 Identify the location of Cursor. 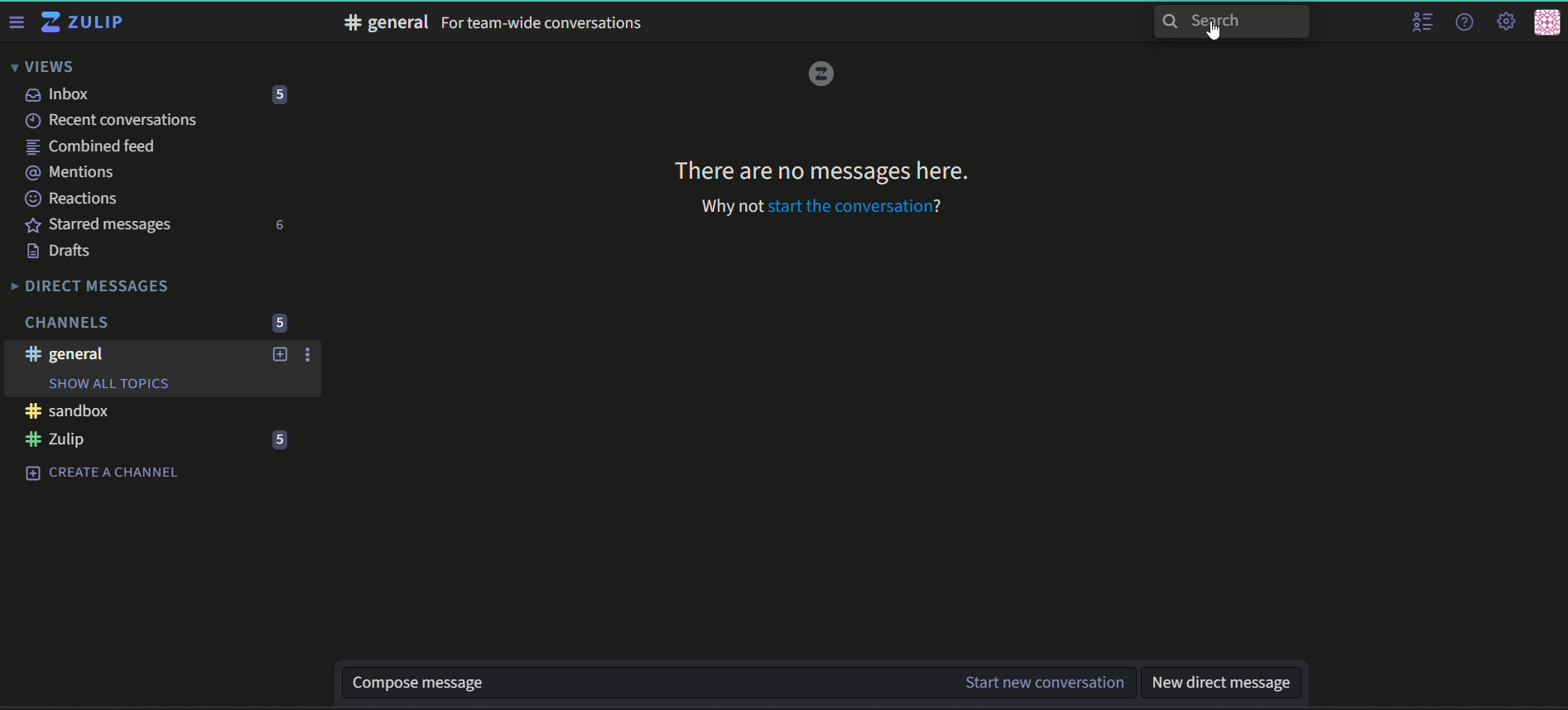
(1217, 33).